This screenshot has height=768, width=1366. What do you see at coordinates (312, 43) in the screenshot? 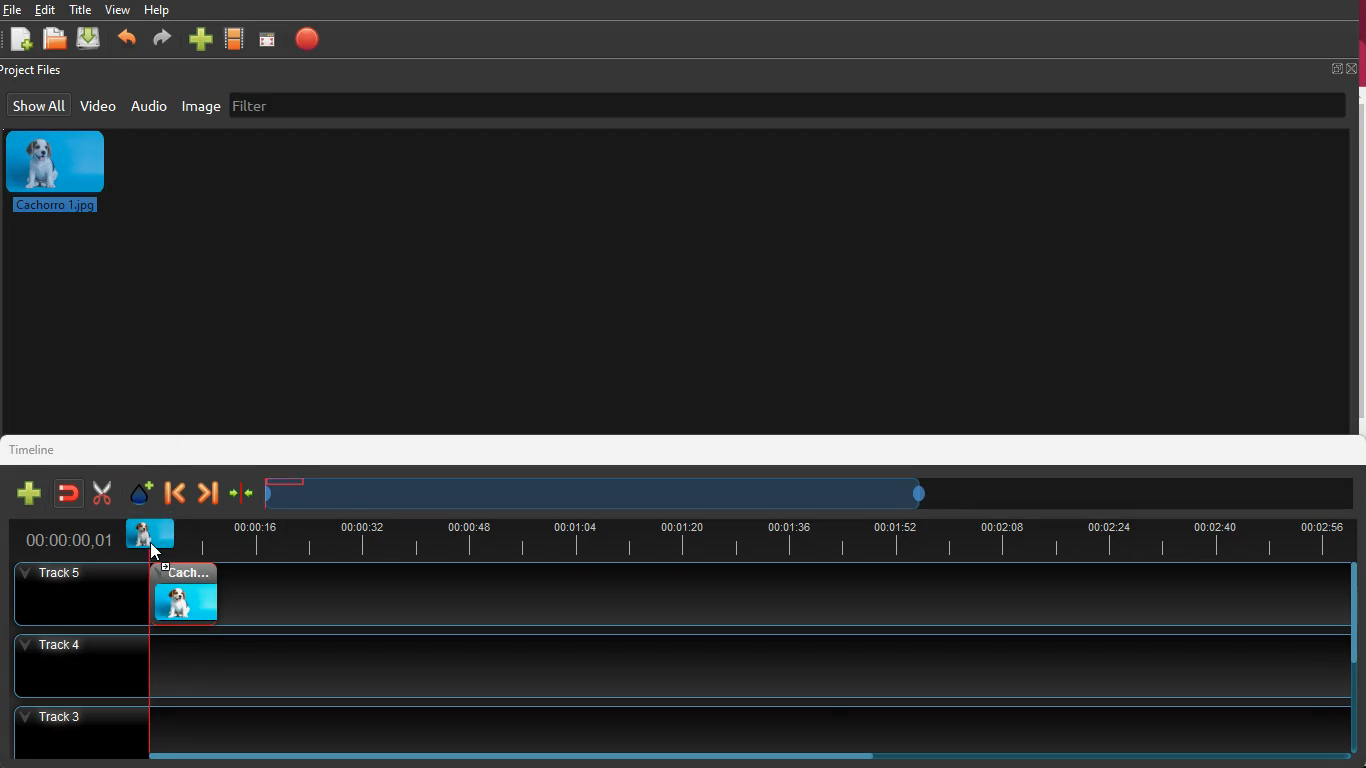
I see `stop` at bounding box center [312, 43].